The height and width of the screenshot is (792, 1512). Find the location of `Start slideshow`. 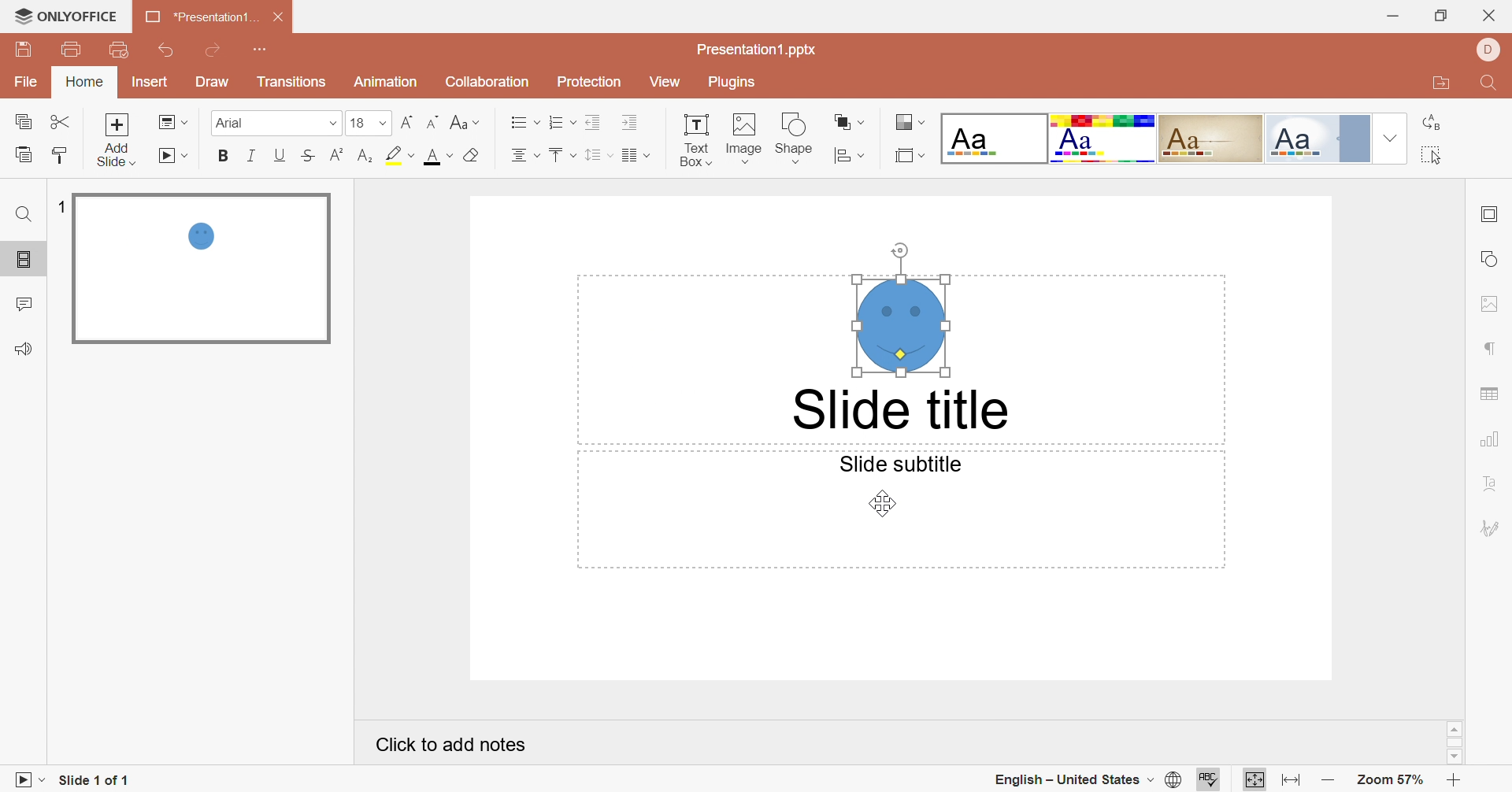

Start slideshow is located at coordinates (176, 157).